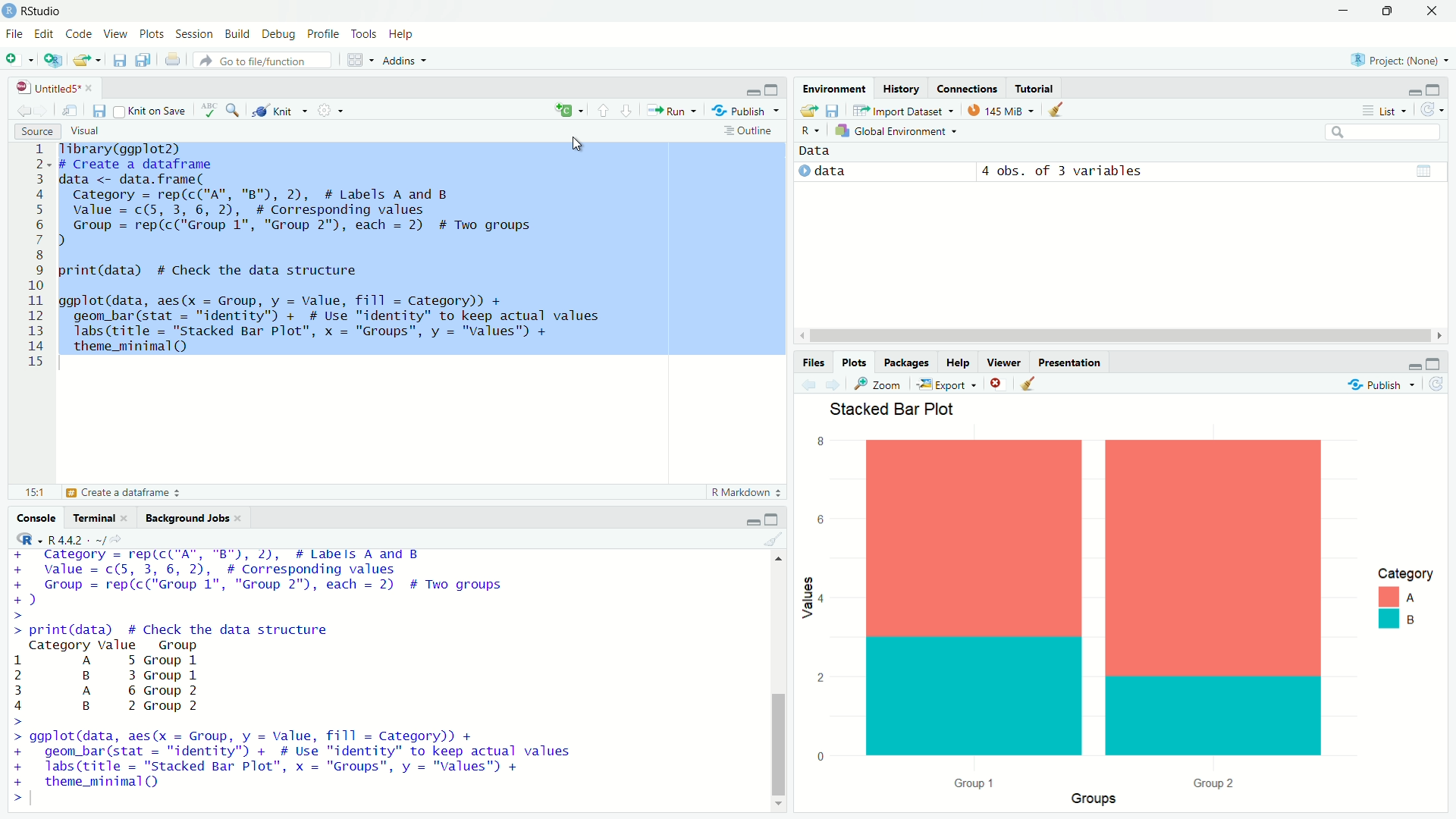 Image resolution: width=1456 pixels, height=819 pixels. Describe the element at coordinates (803, 381) in the screenshot. I see `Go back to the previous source location (Ctrl + F9)` at that location.